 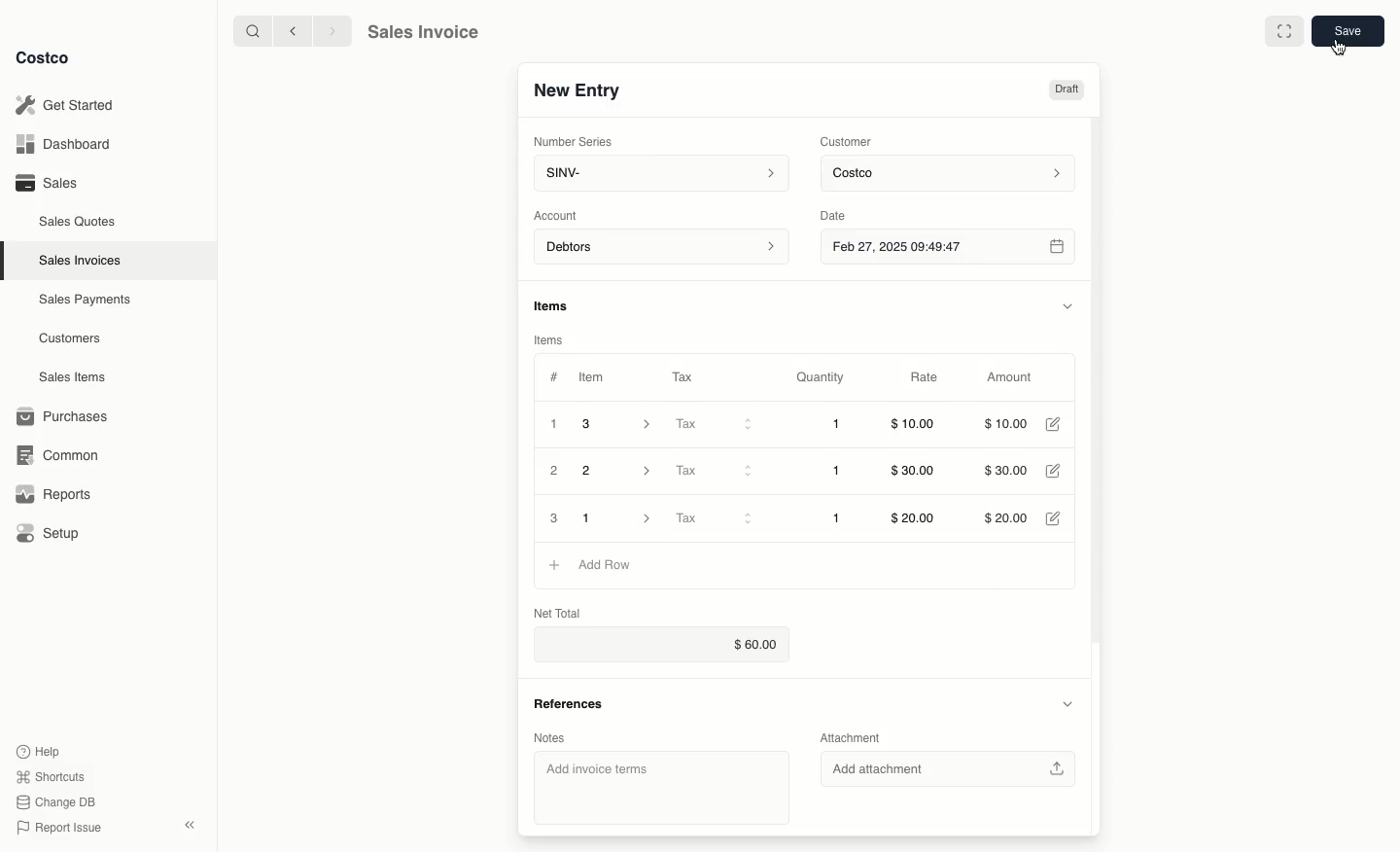 What do you see at coordinates (838, 472) in the screenshot?
I see `1` at bounding box center [838, 472].